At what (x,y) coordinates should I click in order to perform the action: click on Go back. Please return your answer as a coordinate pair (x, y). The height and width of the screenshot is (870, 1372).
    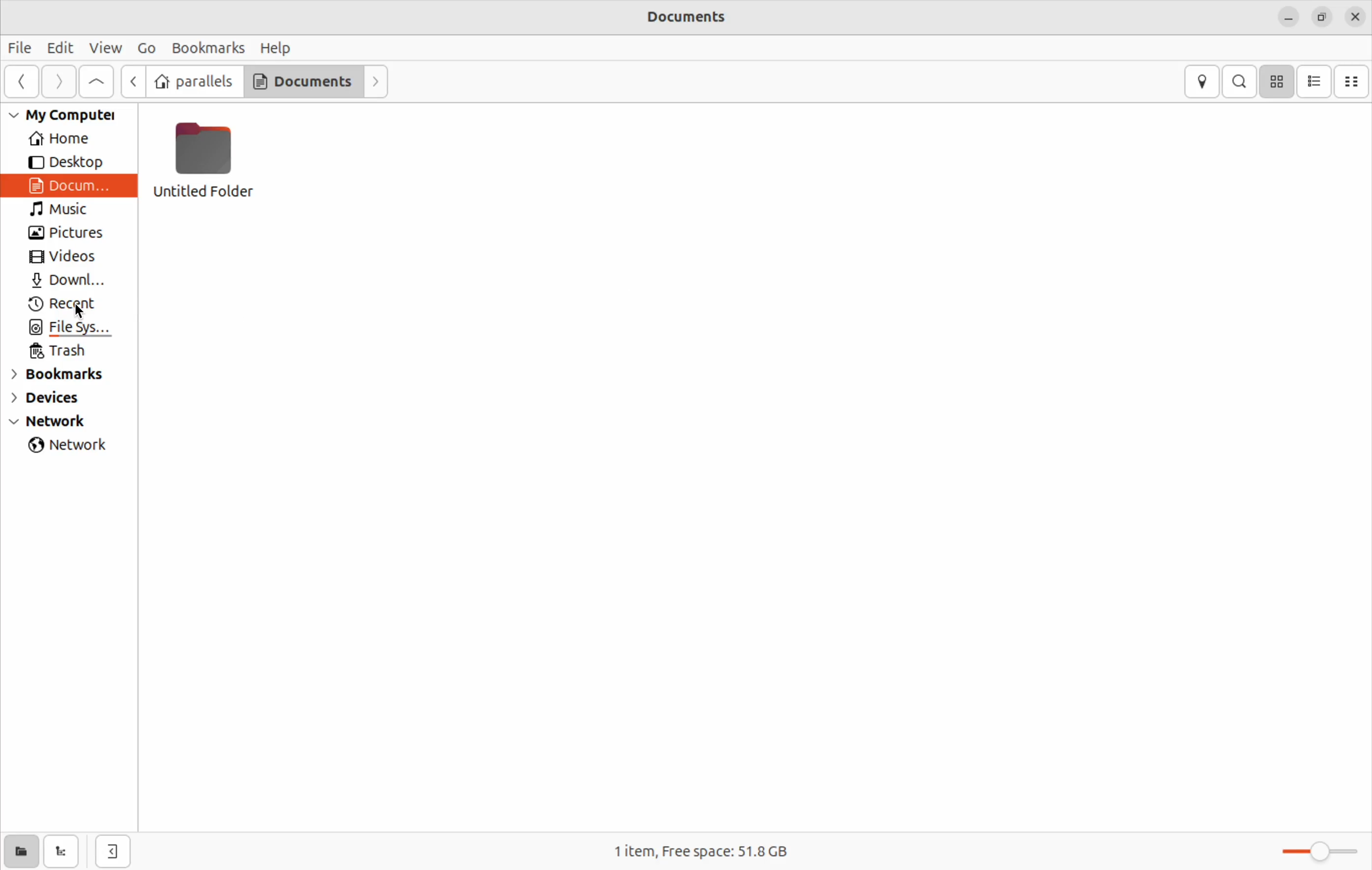
    Looking at the image, I should click on (134, 80).